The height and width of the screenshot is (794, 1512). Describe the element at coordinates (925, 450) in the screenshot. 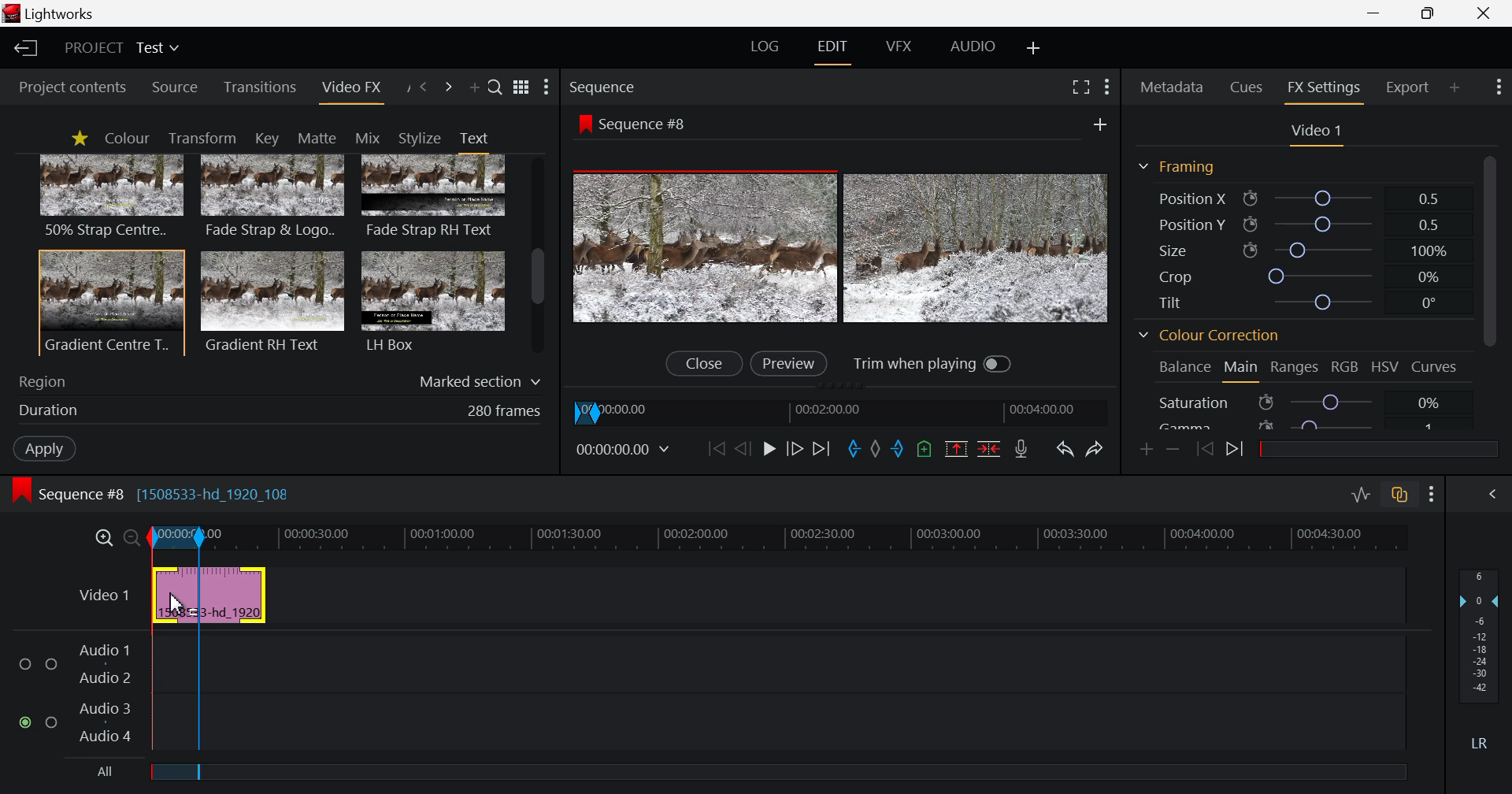

I see `Mark Cue` at that location.